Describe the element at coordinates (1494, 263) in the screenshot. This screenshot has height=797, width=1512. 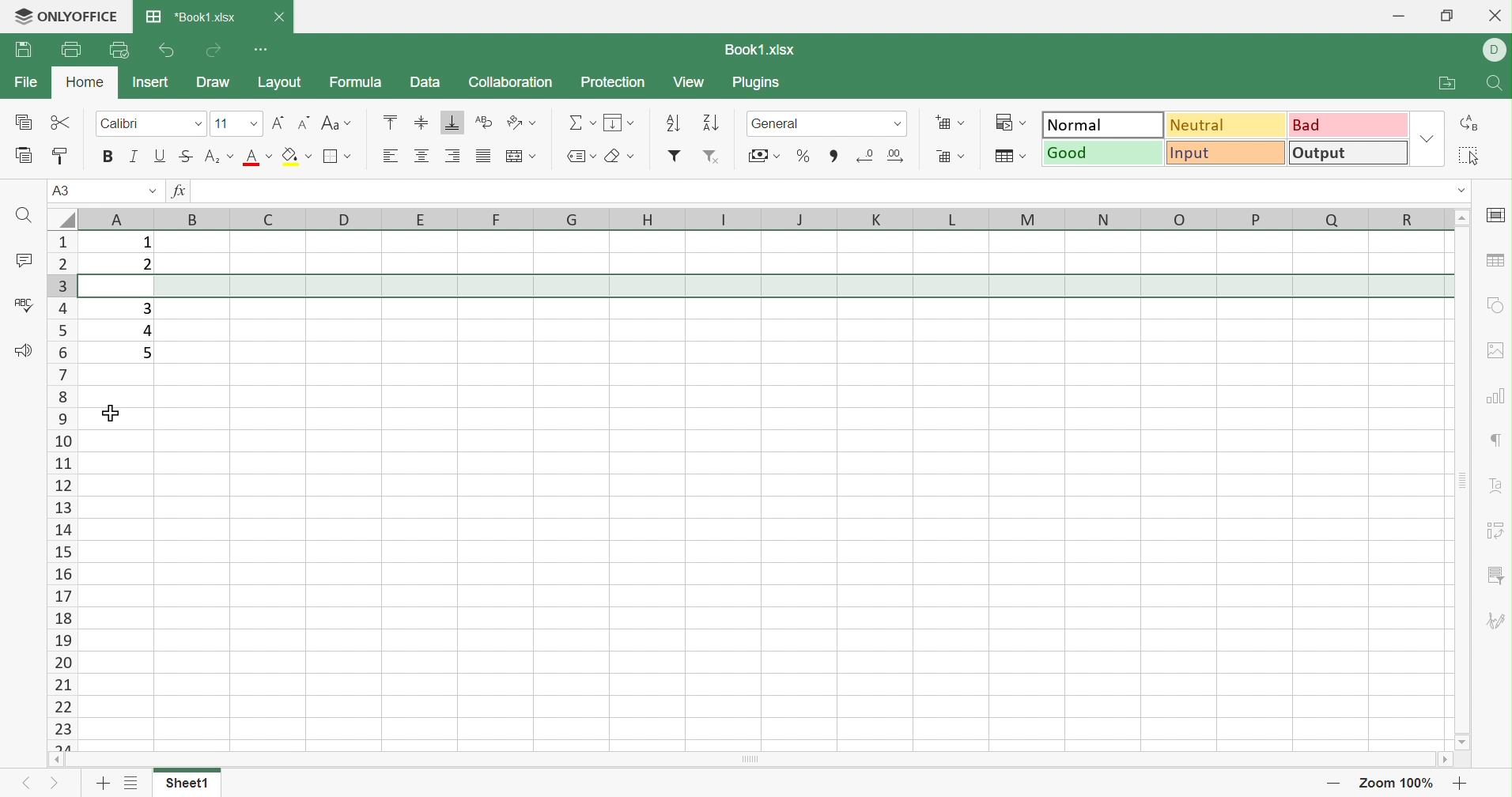
I see `Table settings` at that location.